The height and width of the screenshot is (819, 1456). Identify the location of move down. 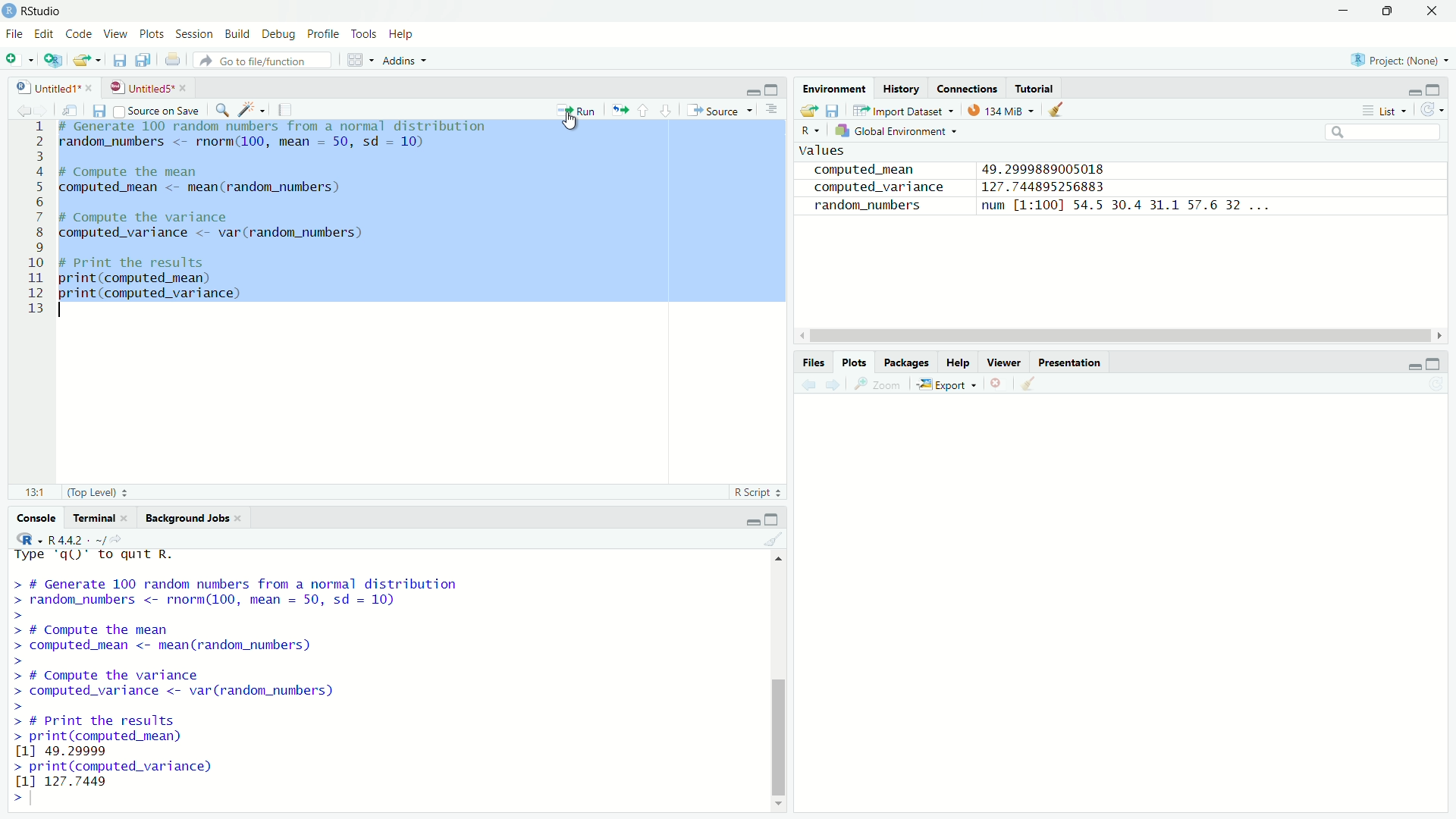
(778, 800).